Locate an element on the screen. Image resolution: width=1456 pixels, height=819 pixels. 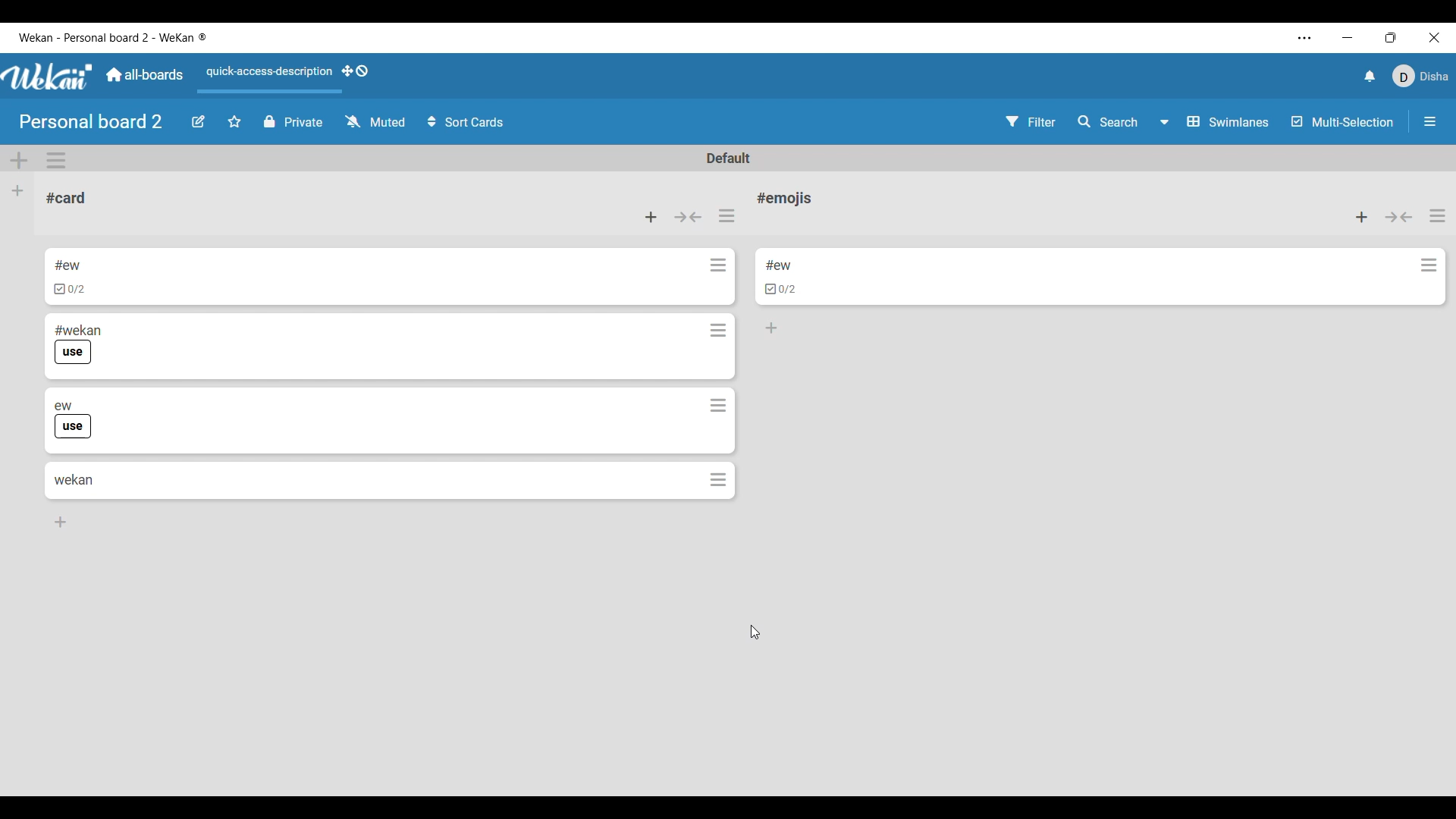
Quick access description is located at coordinates (268, 78).